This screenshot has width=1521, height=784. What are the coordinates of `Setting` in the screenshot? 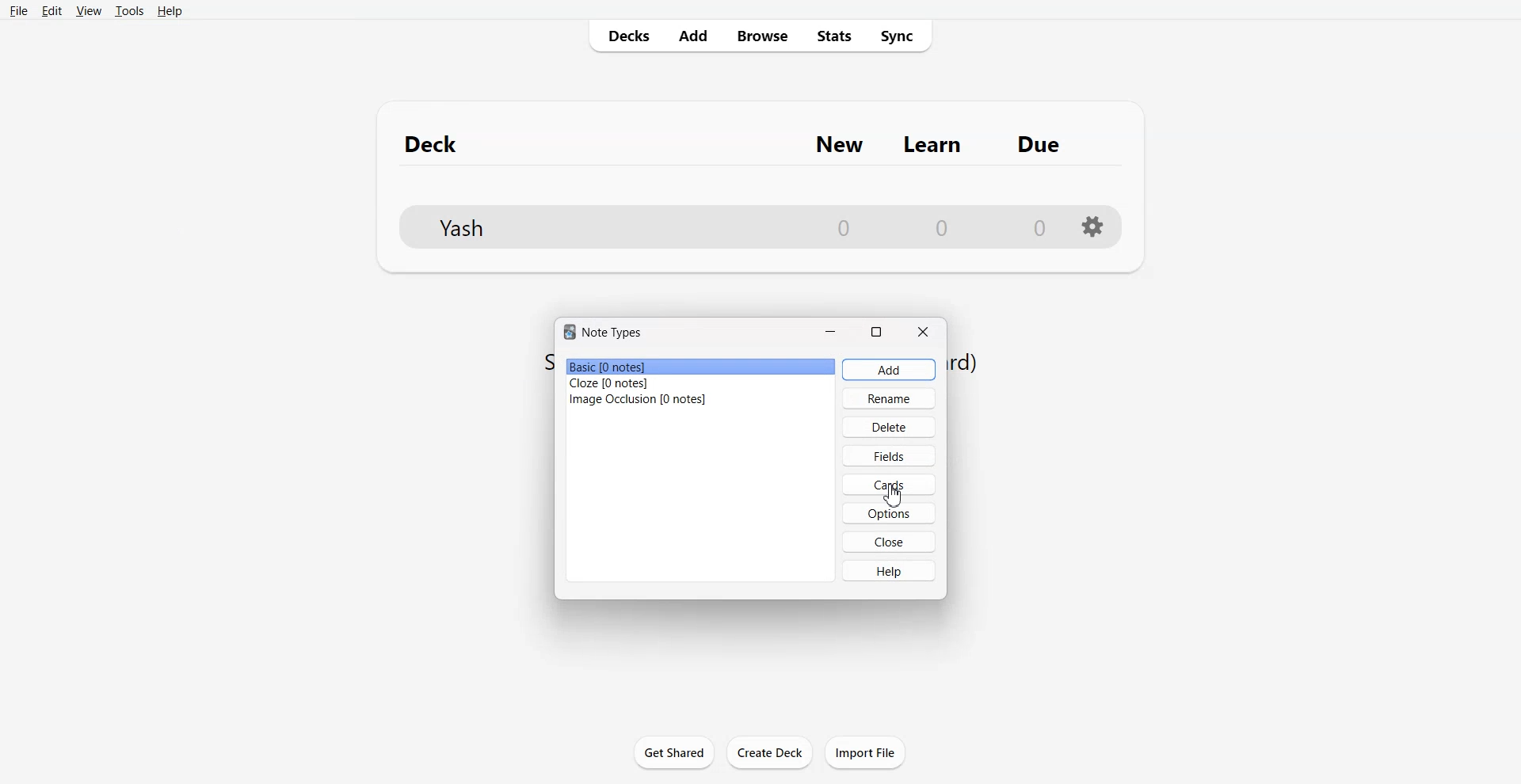 It's located at (1093, 226).